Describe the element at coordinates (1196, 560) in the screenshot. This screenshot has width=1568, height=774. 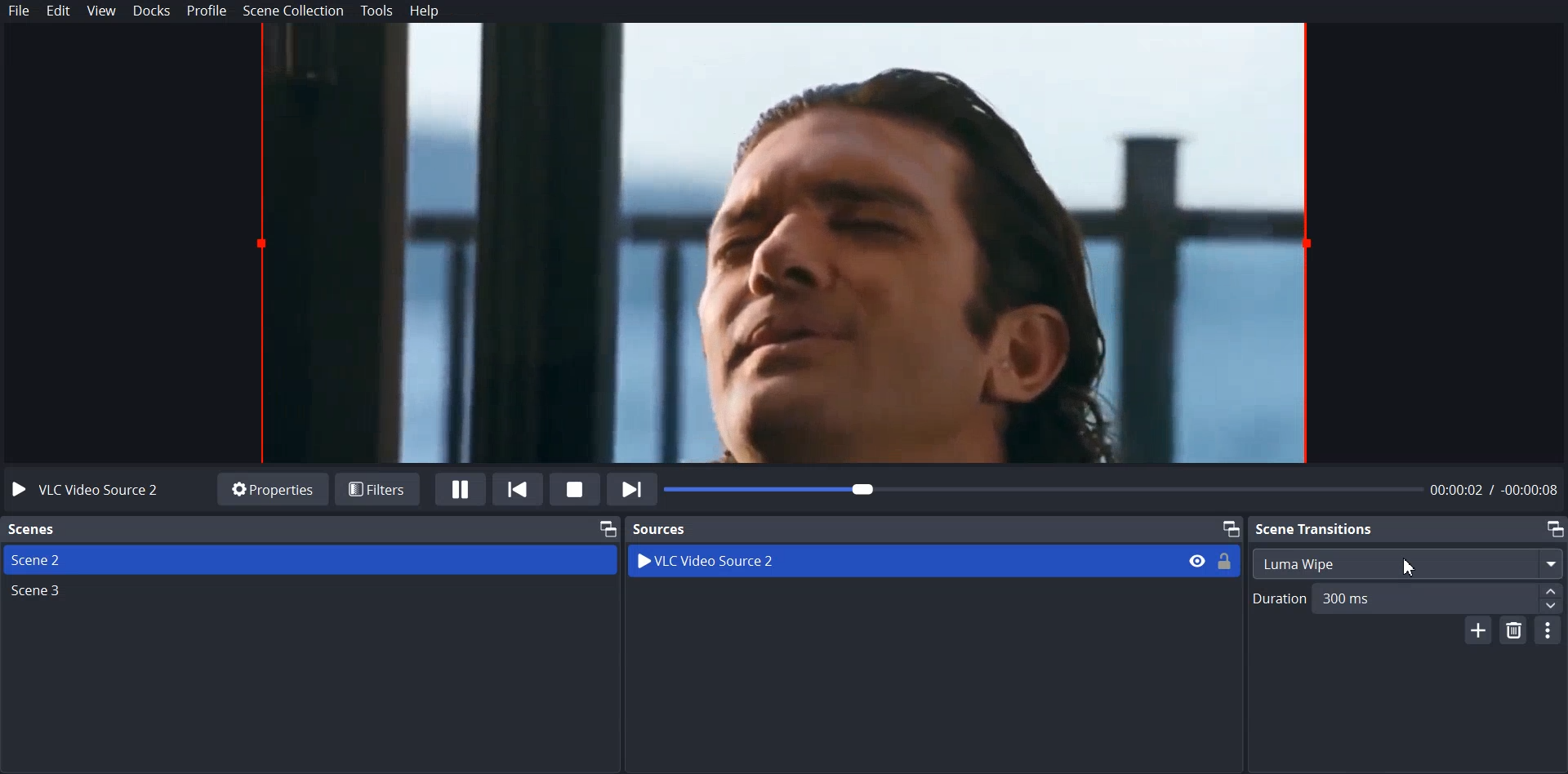
I see `Eye` at that location.